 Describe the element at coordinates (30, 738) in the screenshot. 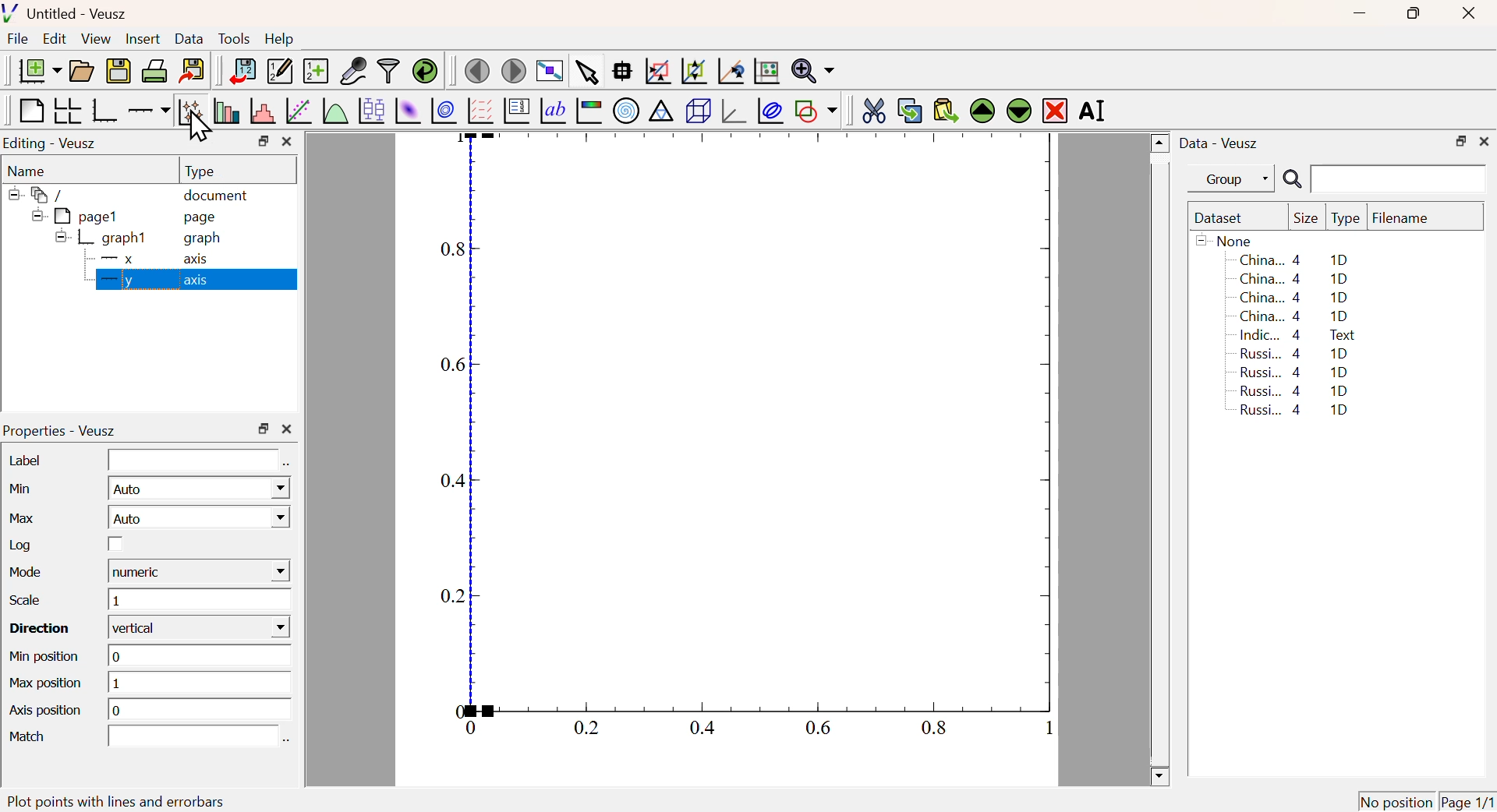

I see `Match` at that location.